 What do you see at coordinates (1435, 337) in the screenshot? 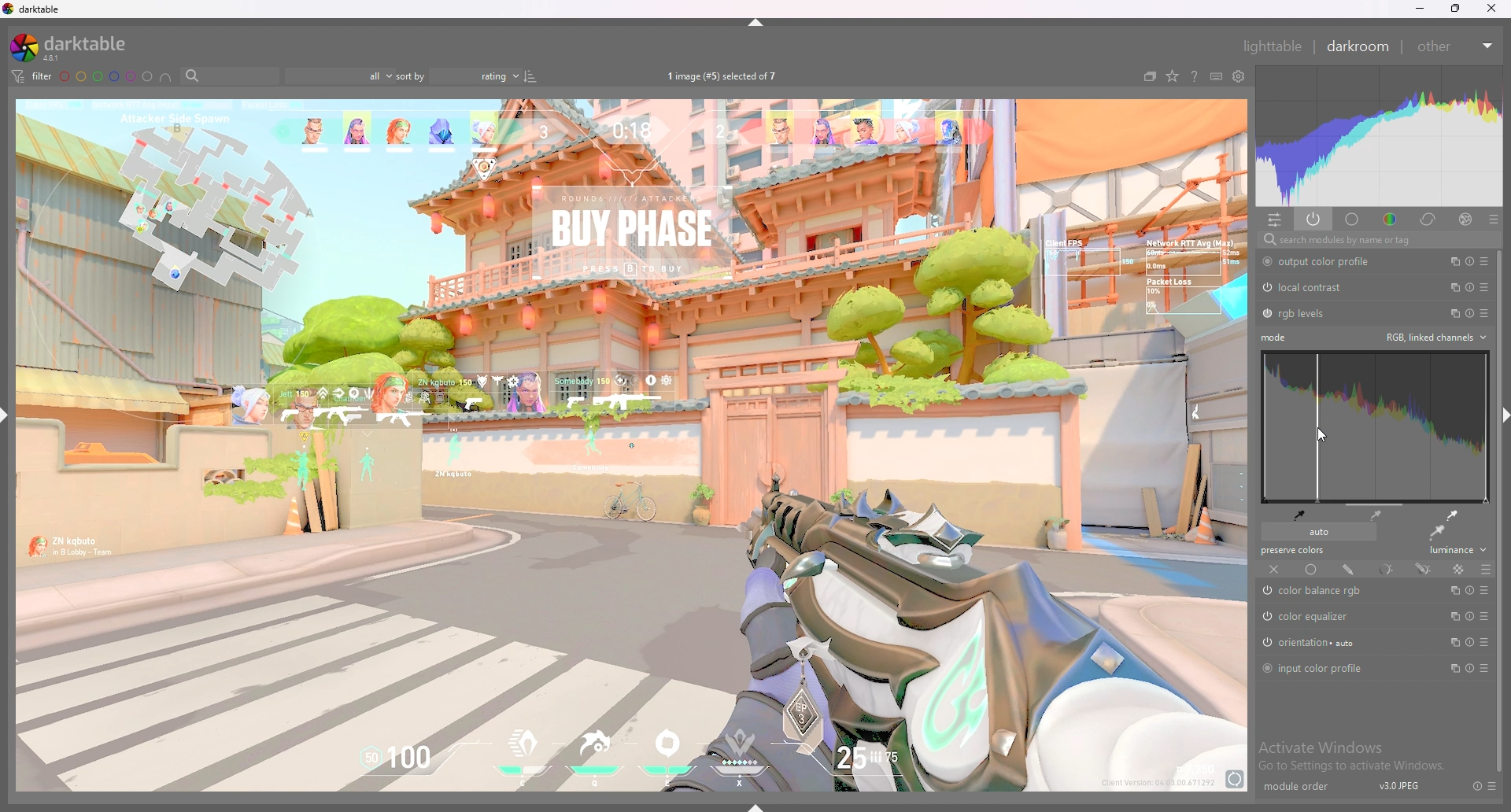
I see `rgb linked channels` at bounding box center [1435, 337].